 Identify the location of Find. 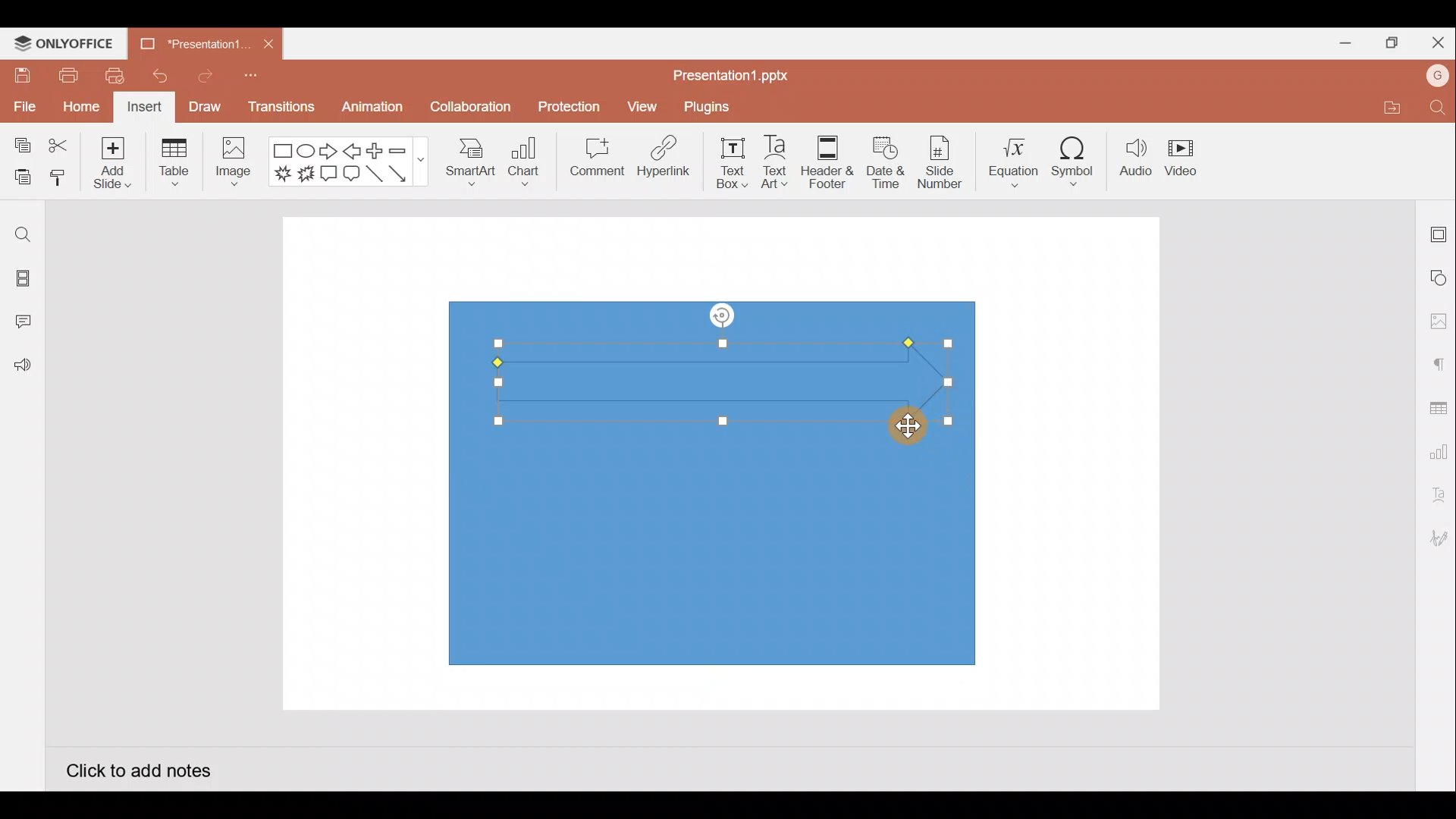
(23, 234).